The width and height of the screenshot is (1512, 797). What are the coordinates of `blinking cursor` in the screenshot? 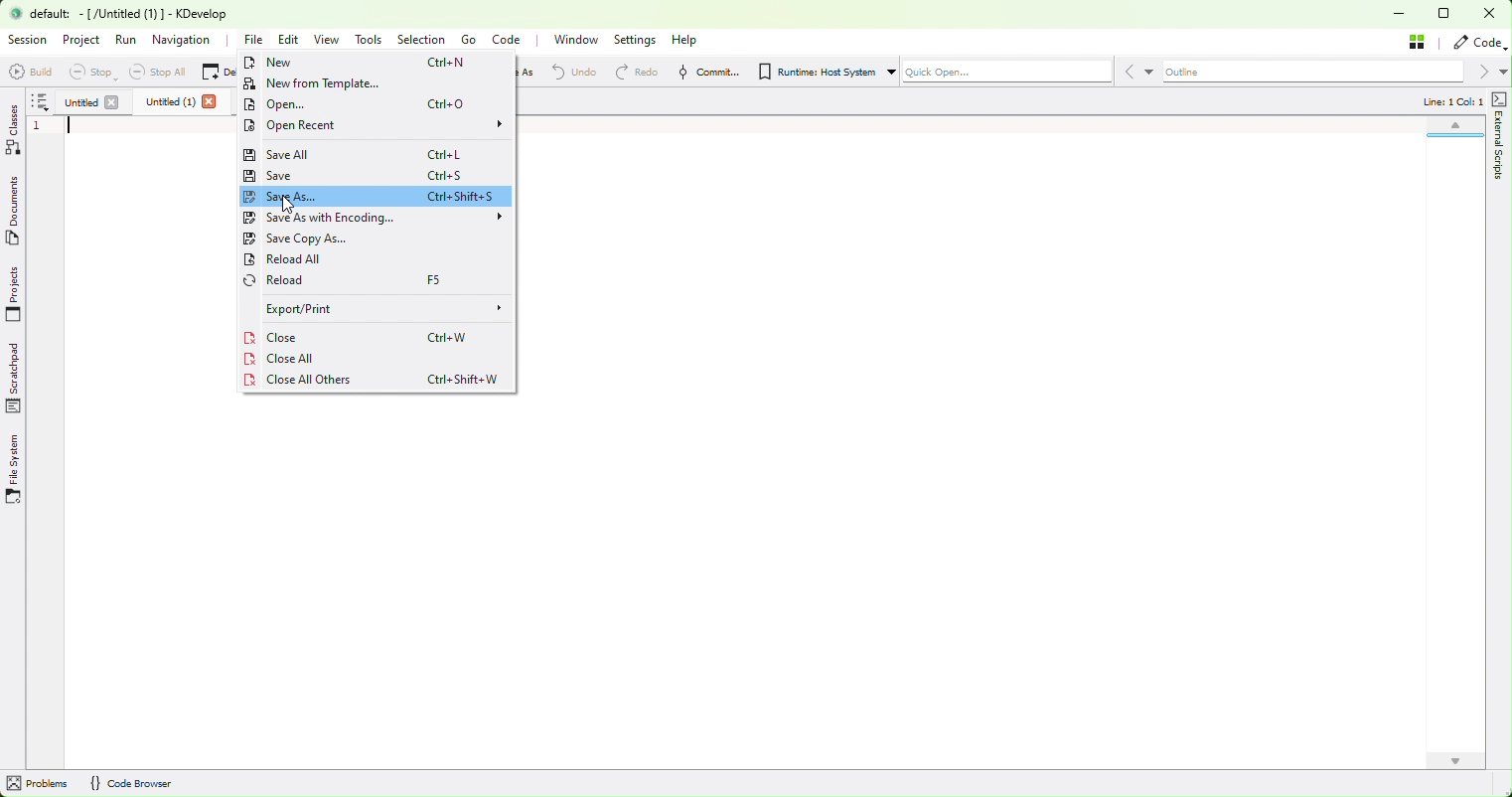 It's located at (73, 127).